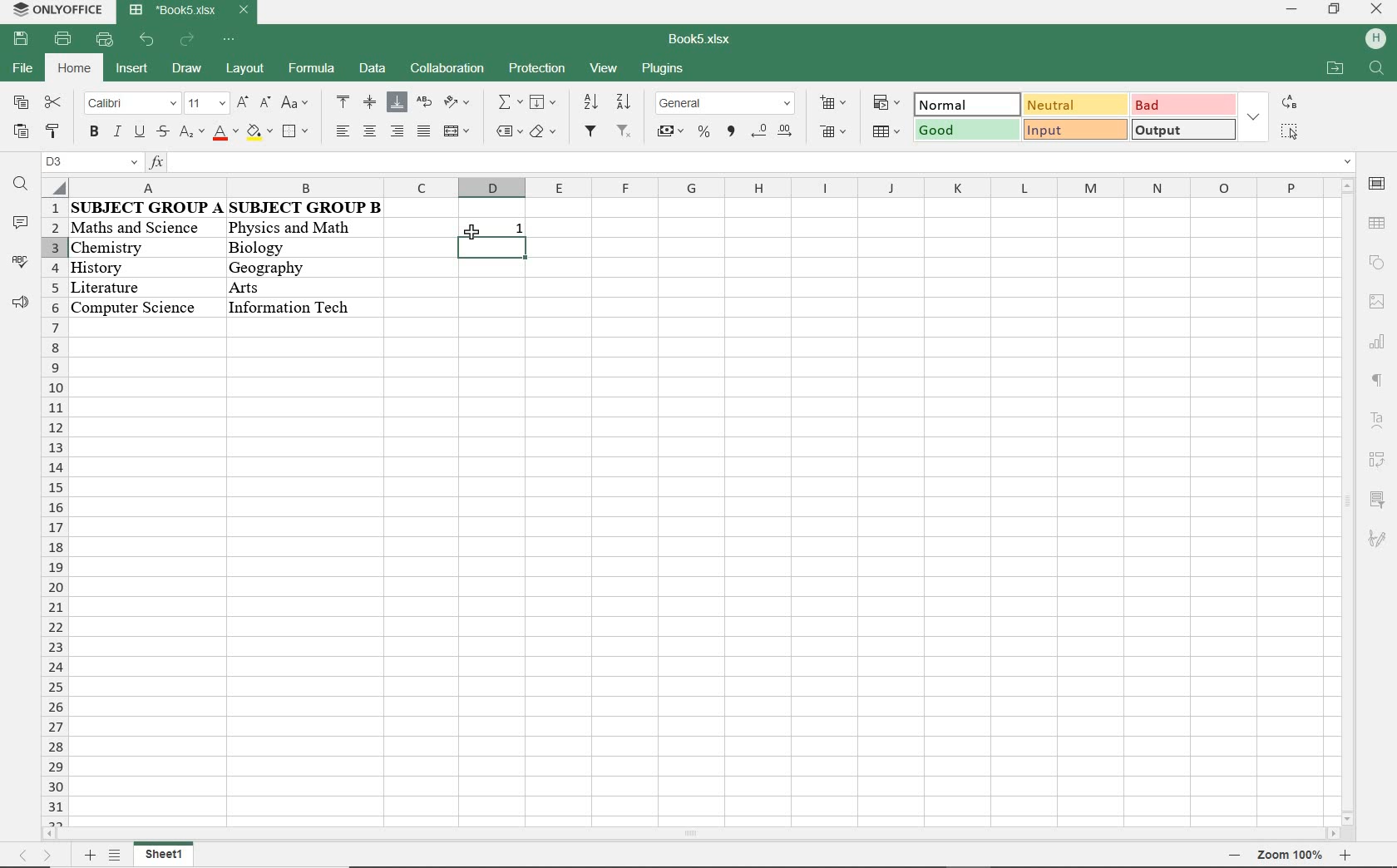  Describe the element at coordinates (116, 133) in the screenshot. I see `italic` at that location.